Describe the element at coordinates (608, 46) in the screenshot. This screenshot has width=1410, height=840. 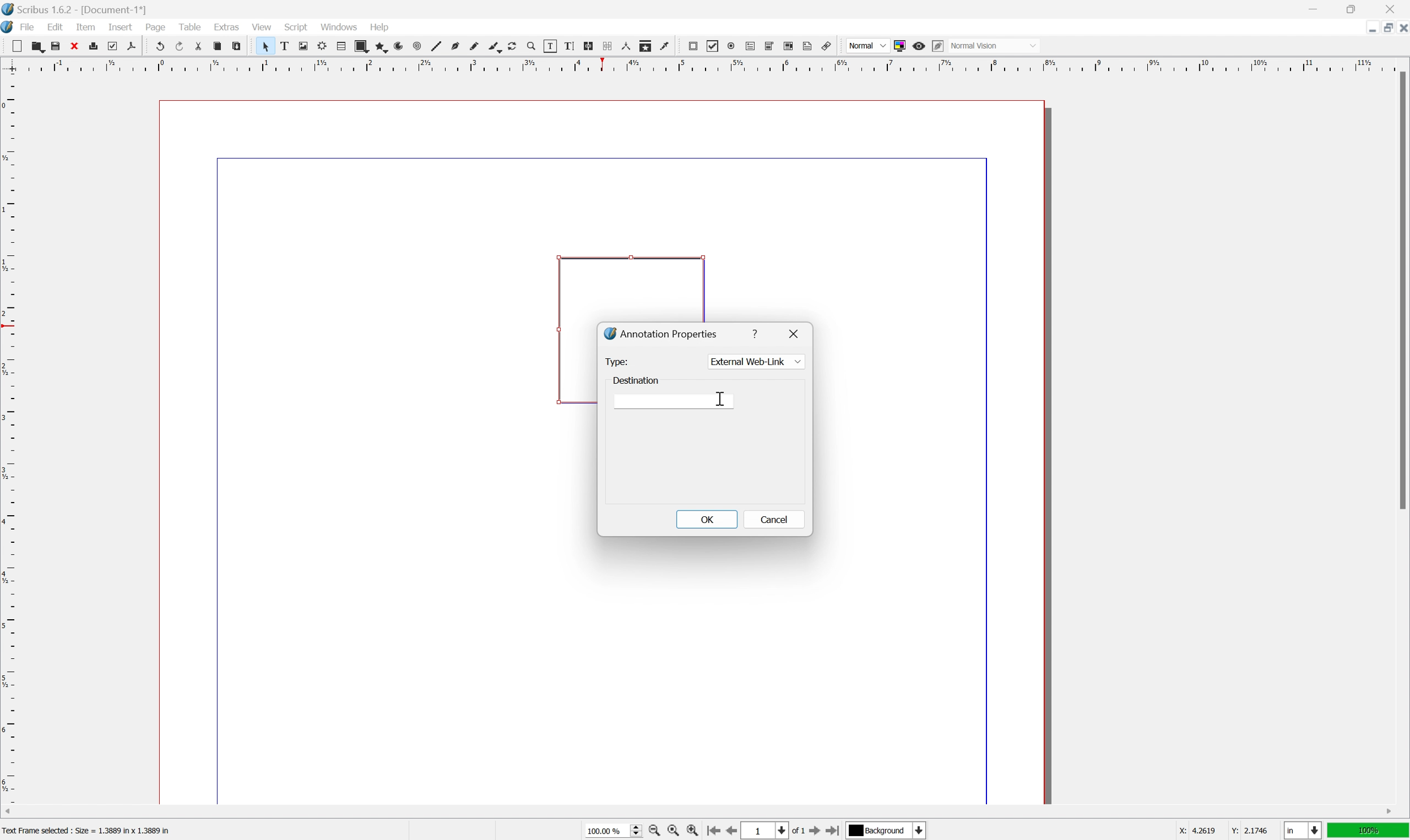
I see `unlink text frames` at that location.